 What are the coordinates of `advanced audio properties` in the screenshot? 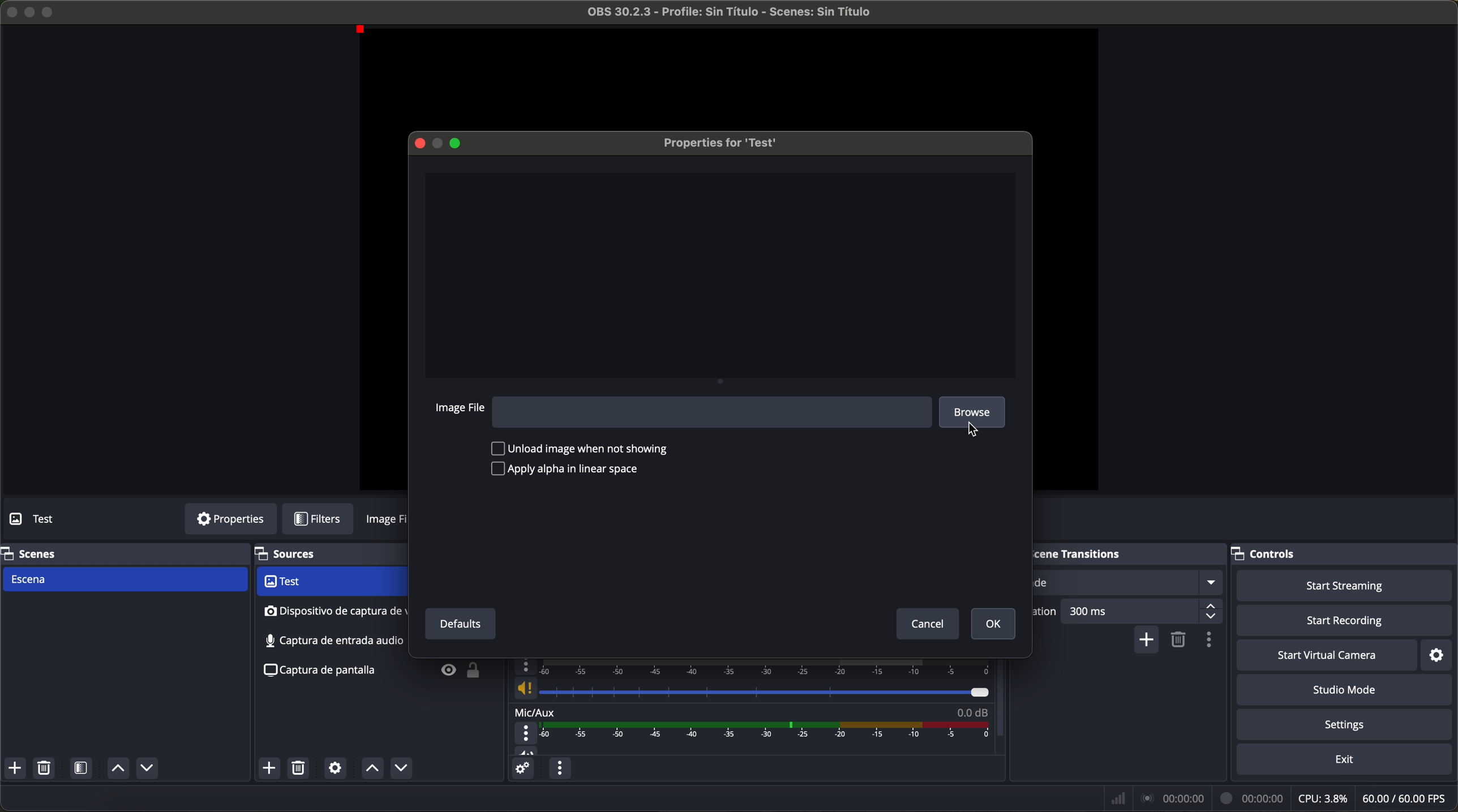 It's located at (522, 768).